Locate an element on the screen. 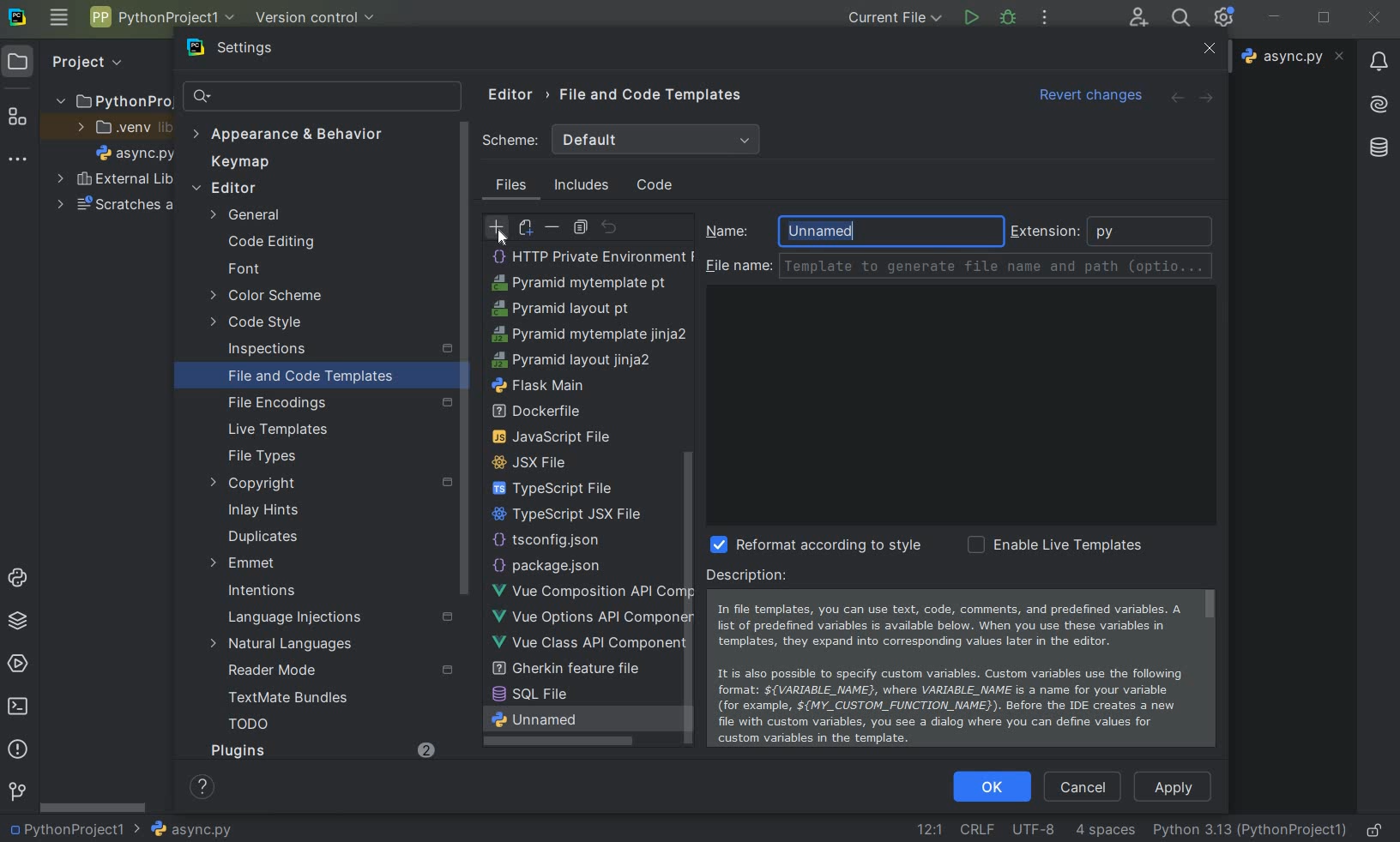 This screenshot has height=842, width=1400. keymap is located at coordinates (238, 164).